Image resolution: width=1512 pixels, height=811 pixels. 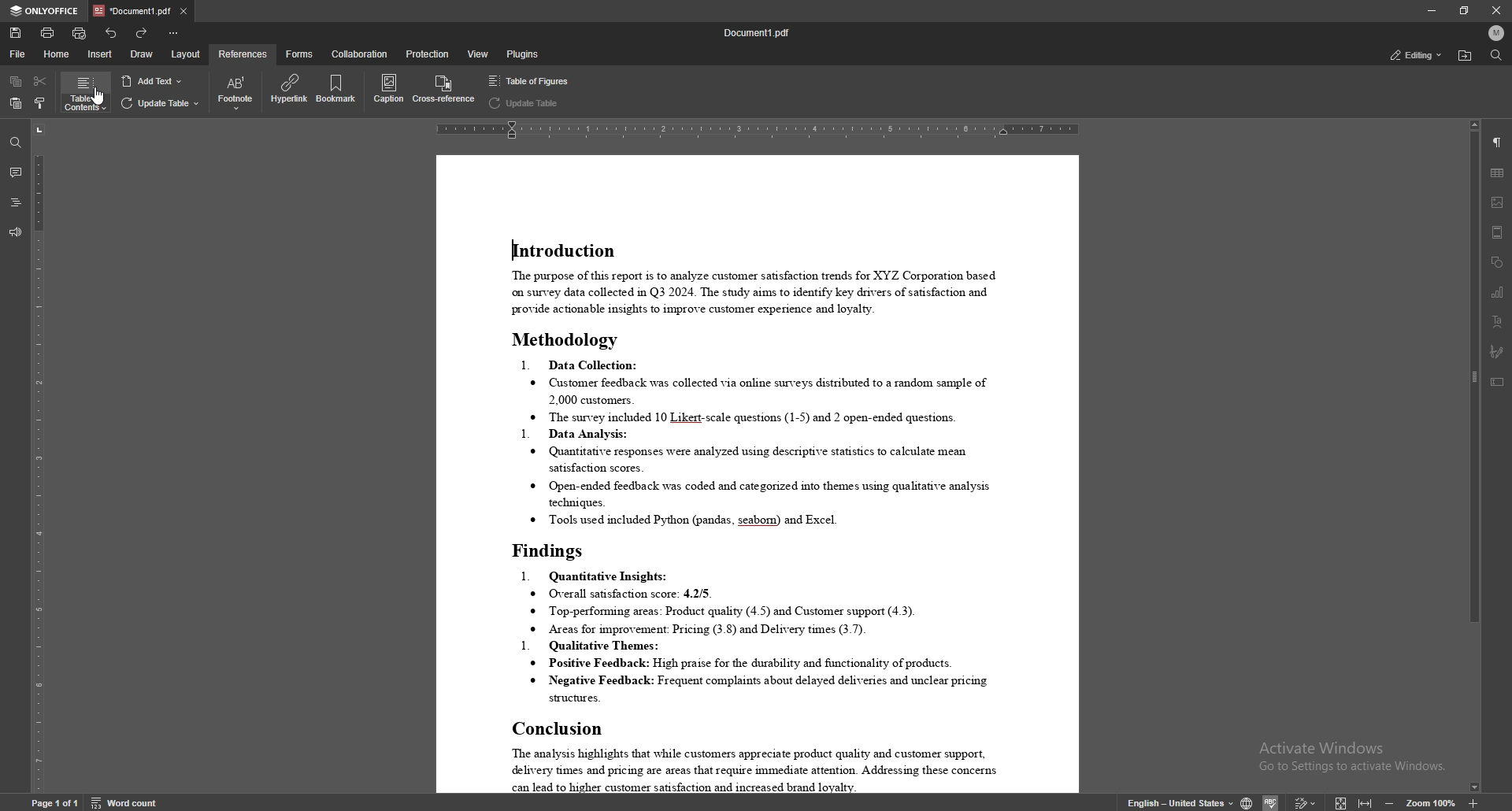 What do you see at coordinates (339, 90) in the screenshot?
I see `bookmark` at bounding box center [339, 90].